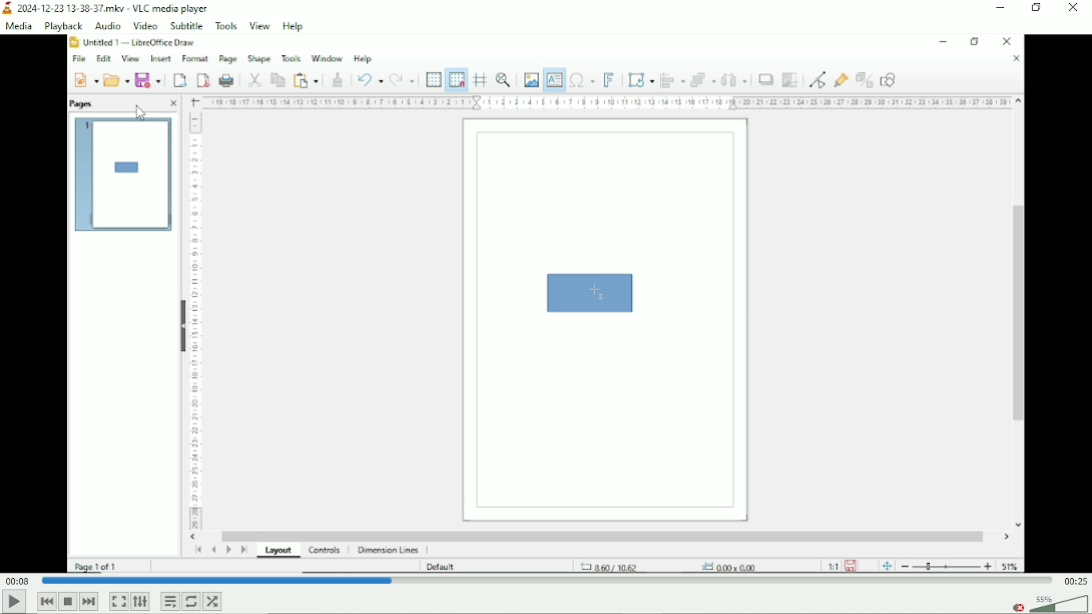  I want to click on Toggle between loop all, loop one and no loop, so click(190, 602).